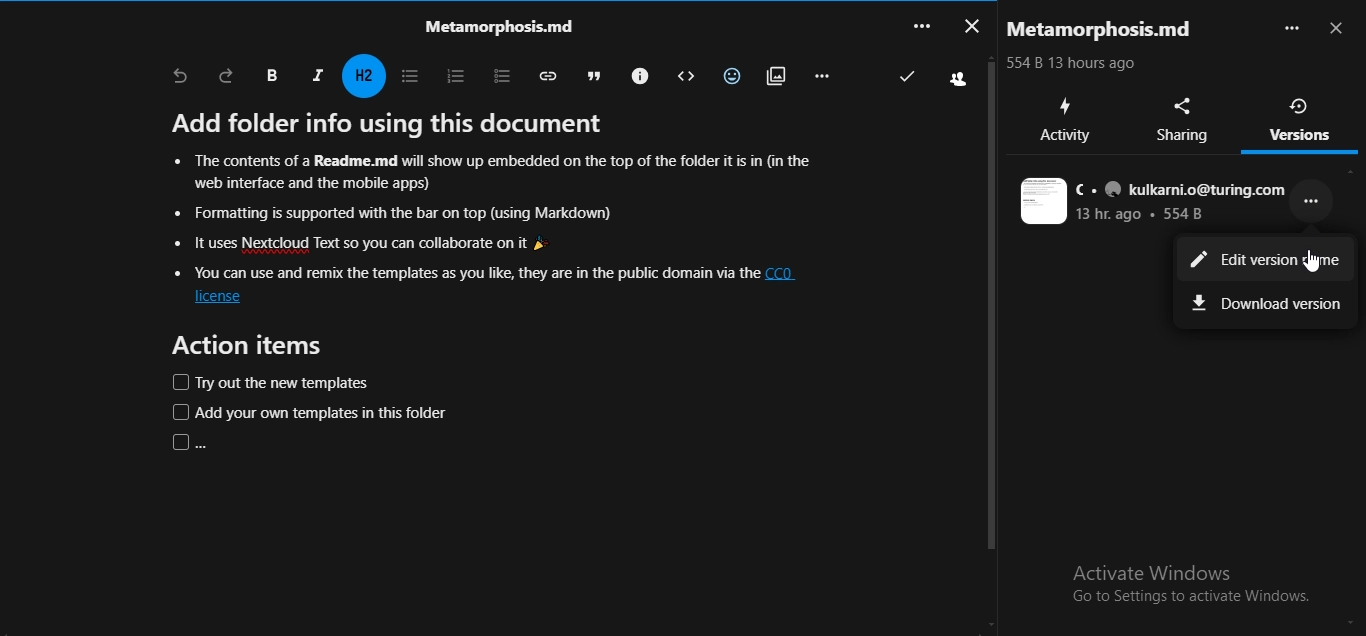 This screenshot has width=1366, height=636. I want to click on text, so click(493, 25).